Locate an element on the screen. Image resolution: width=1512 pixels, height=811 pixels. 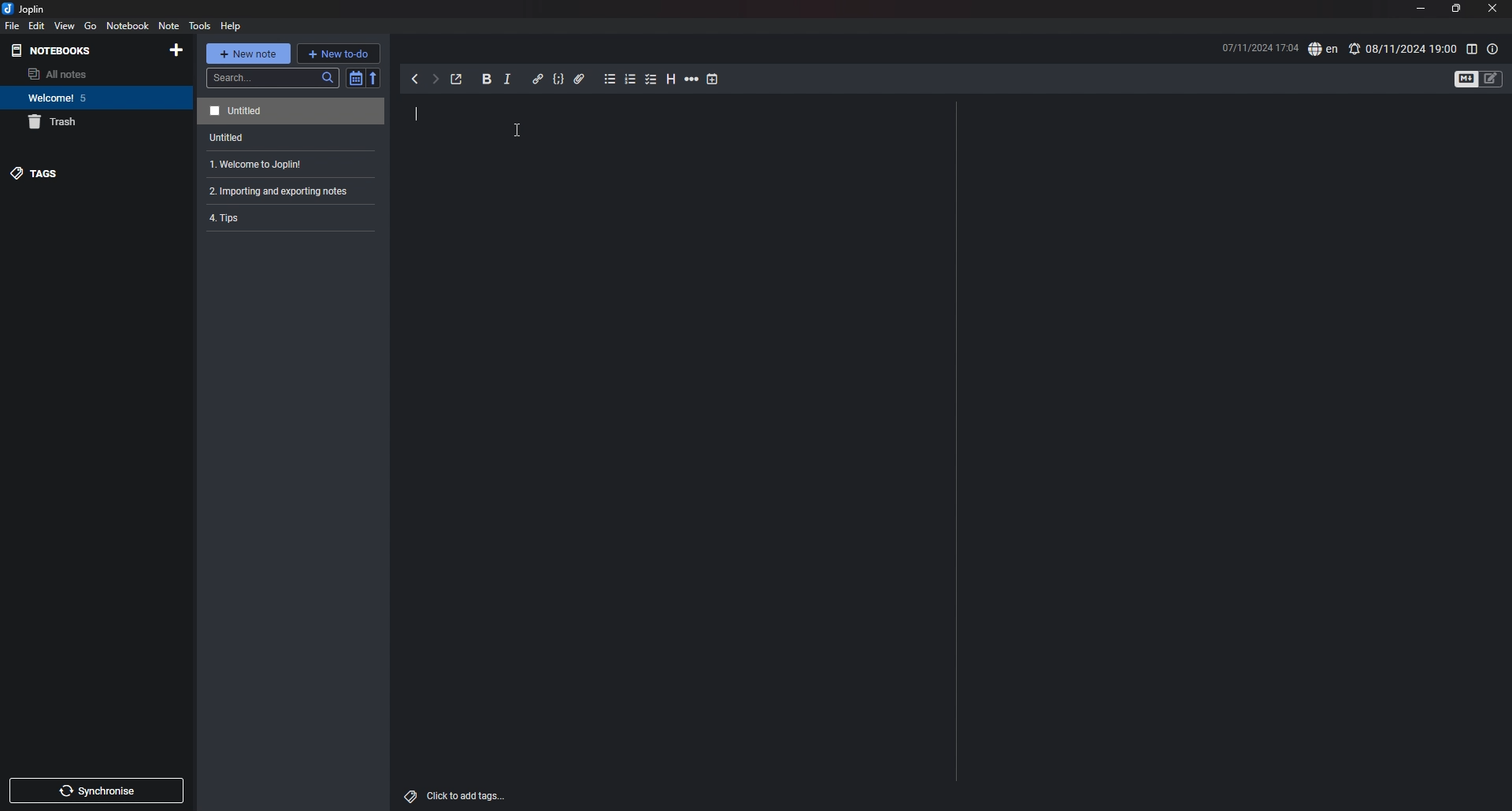
go is located at coordinates (91, 26).